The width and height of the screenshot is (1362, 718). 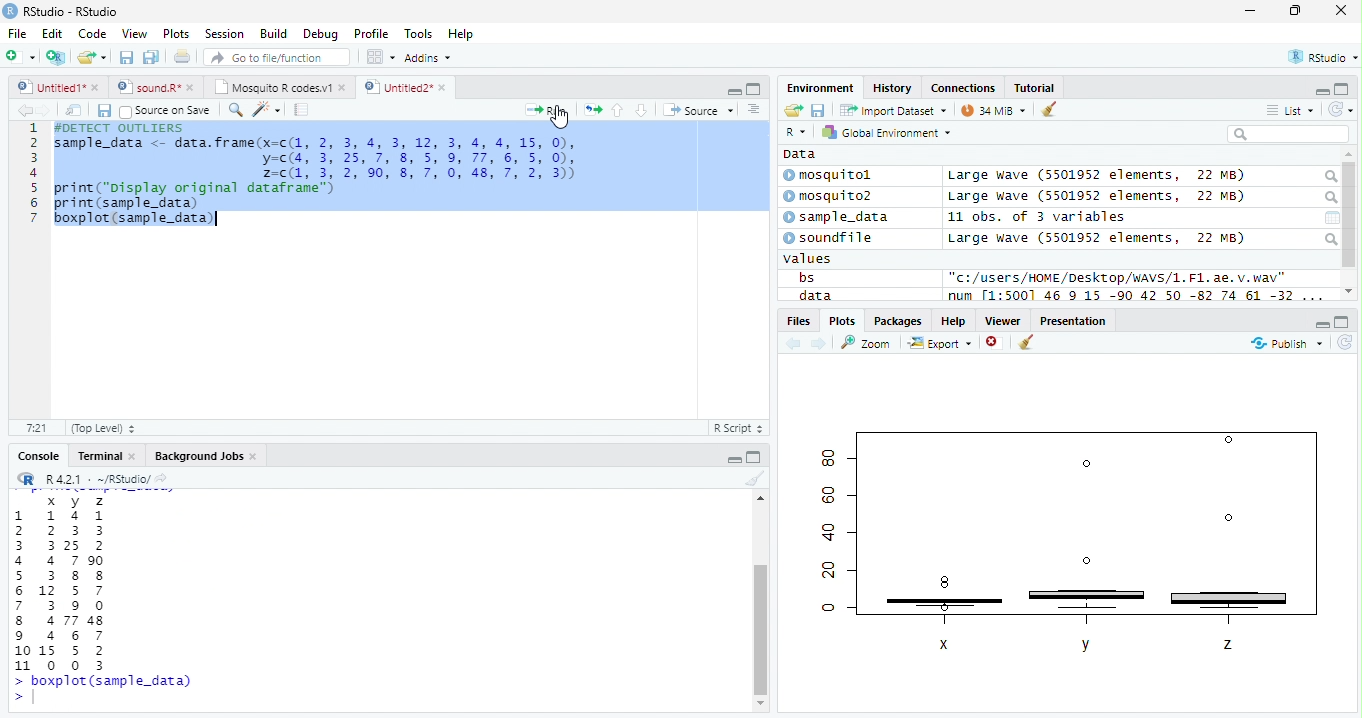 What do you see at coordinates (126, 57) in the screenshot?
I see `Save the current document` at bounding box center [126, 57].